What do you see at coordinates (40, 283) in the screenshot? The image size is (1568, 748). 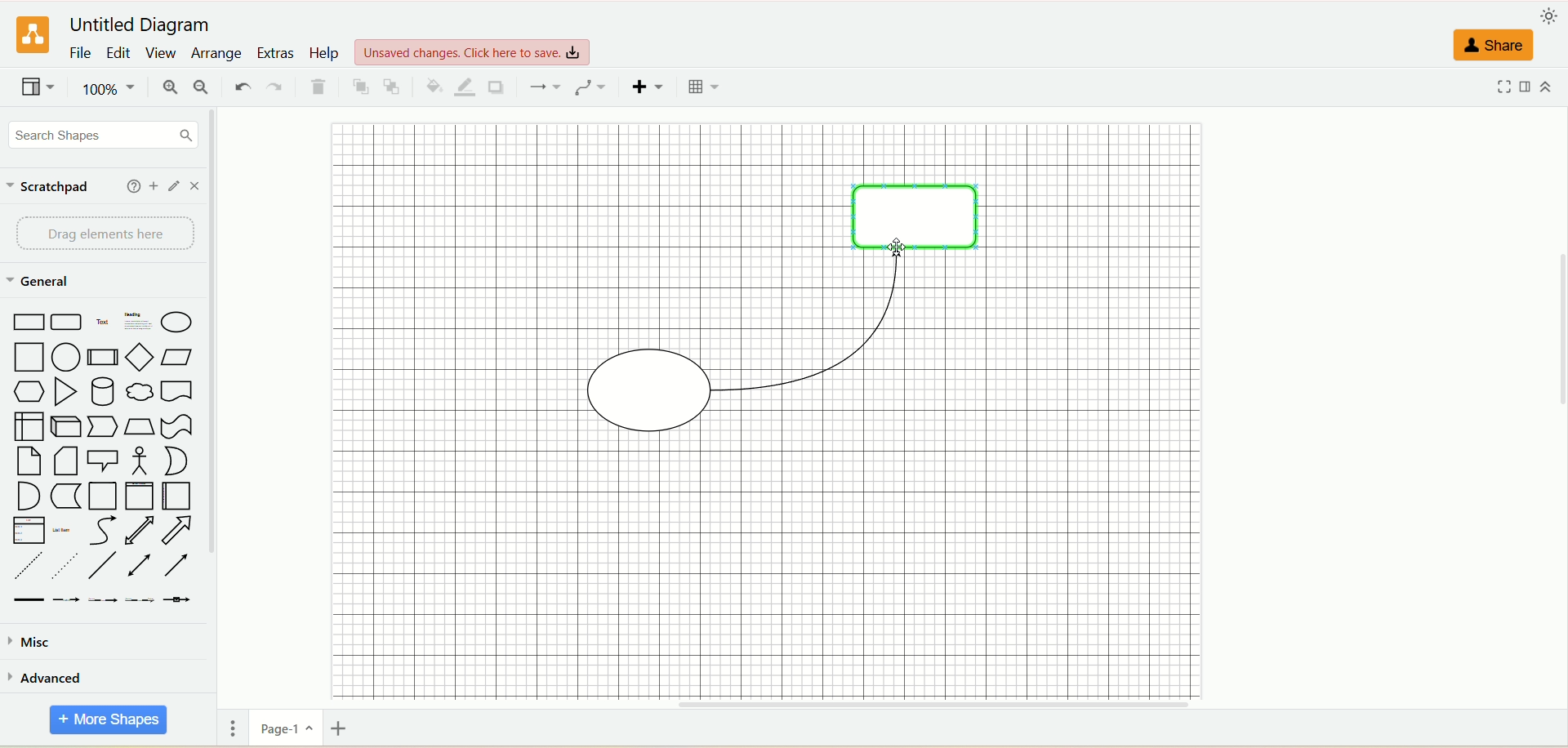 I see `general` at bounding box center [40, 283].